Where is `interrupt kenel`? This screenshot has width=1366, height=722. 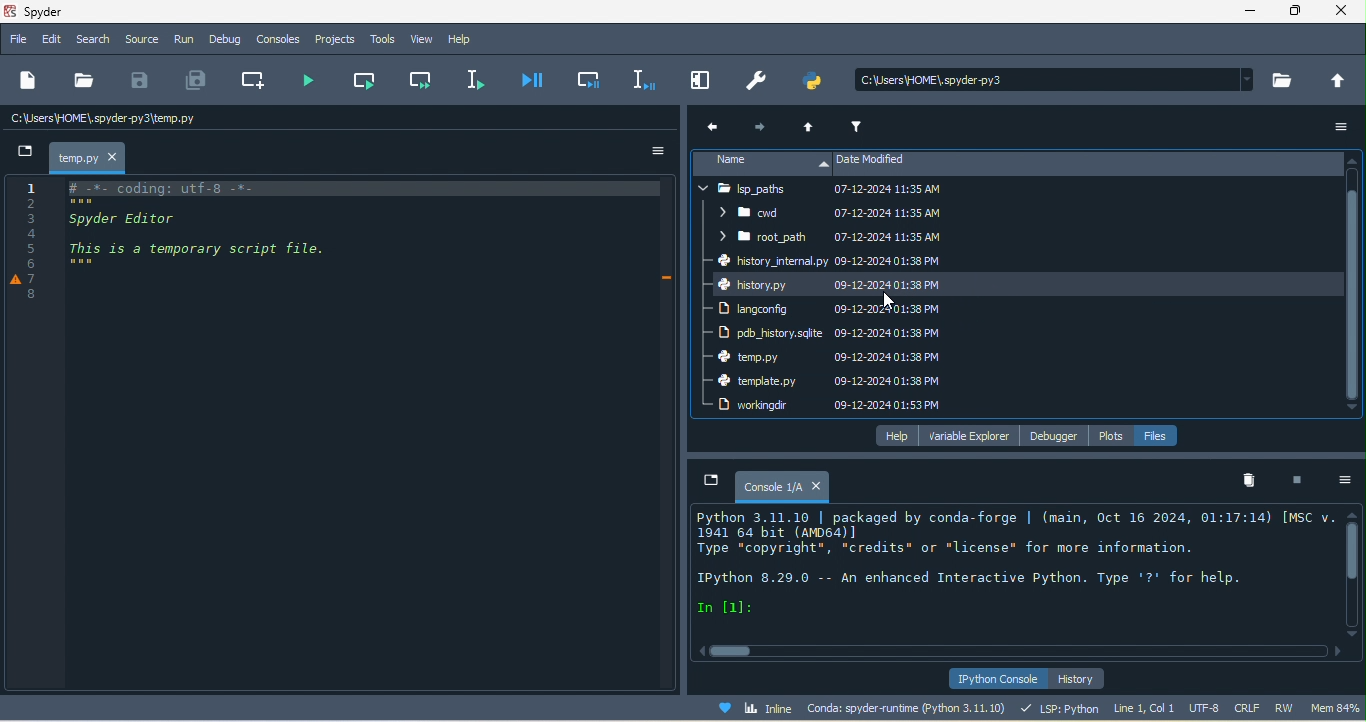
interrupt kenel is located at coordinates (1298, 480).